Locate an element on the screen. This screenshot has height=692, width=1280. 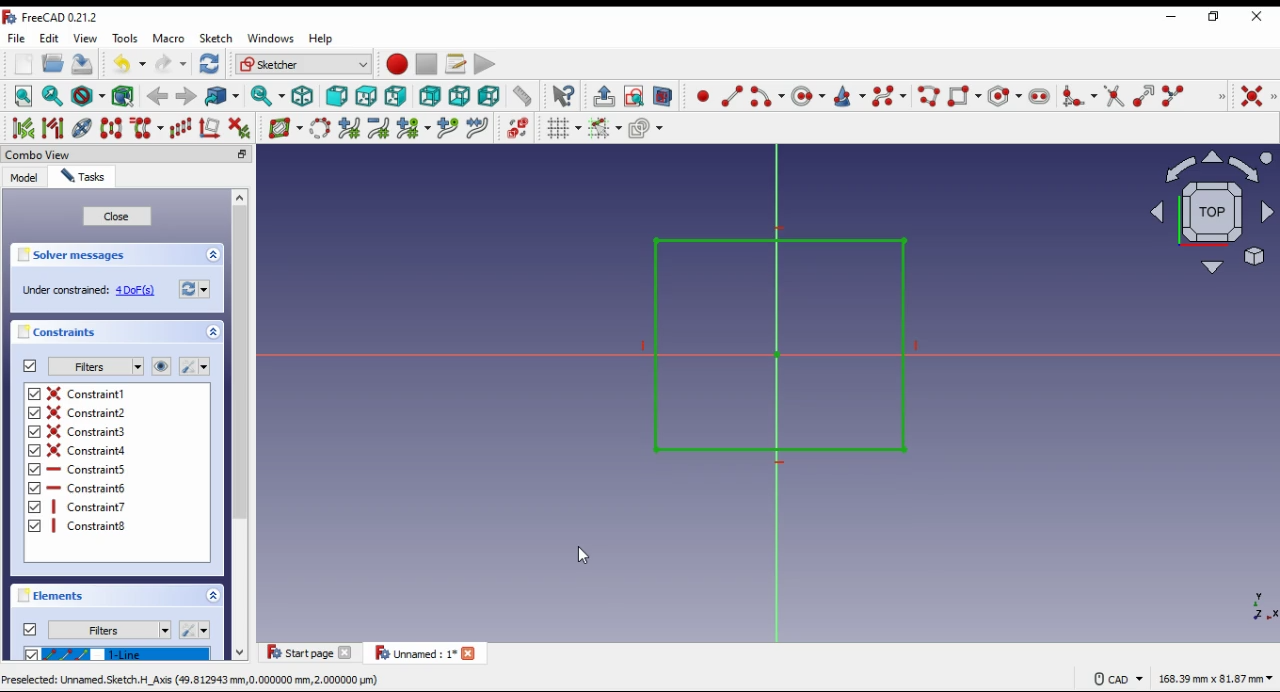
on/off constraint 7 is located at coordinates (92, 507).